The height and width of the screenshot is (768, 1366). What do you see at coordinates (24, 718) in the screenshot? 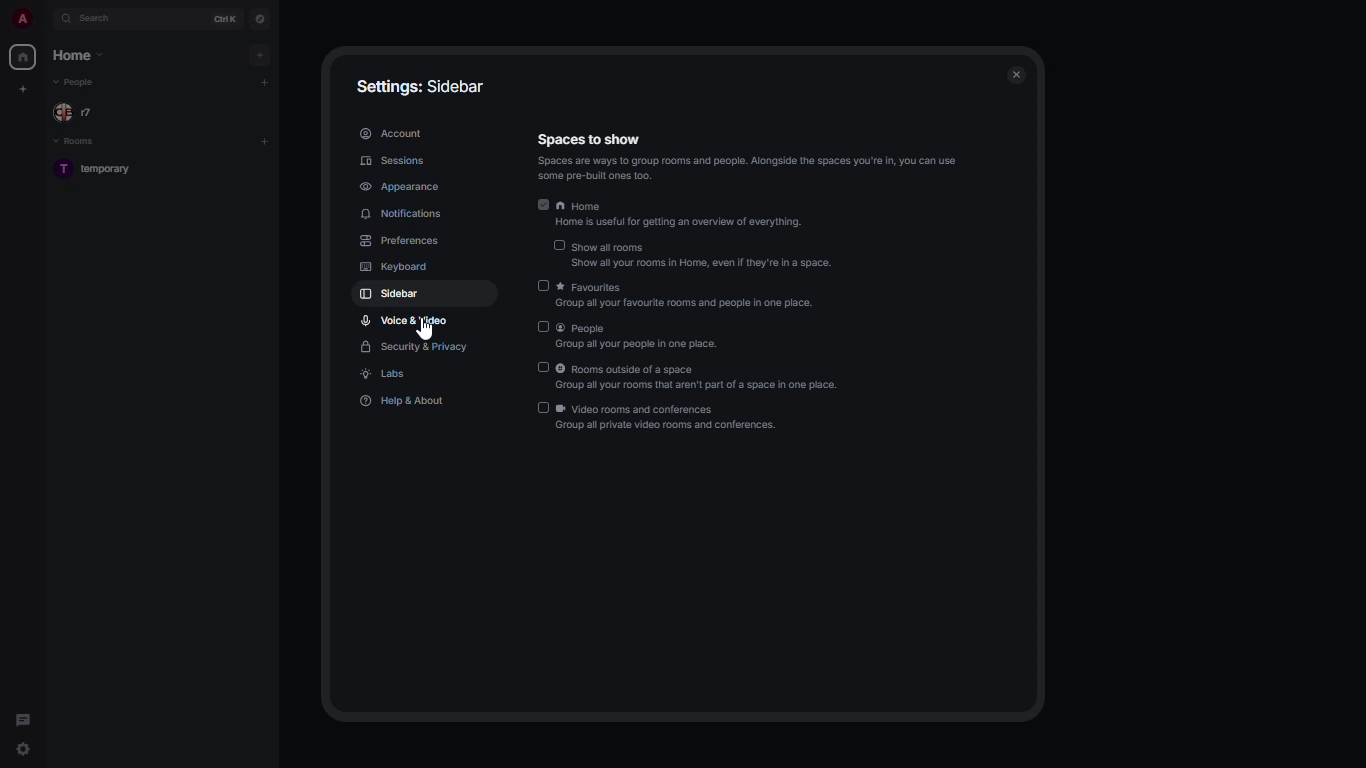
I see `threads` at bounding box center [24, 718].